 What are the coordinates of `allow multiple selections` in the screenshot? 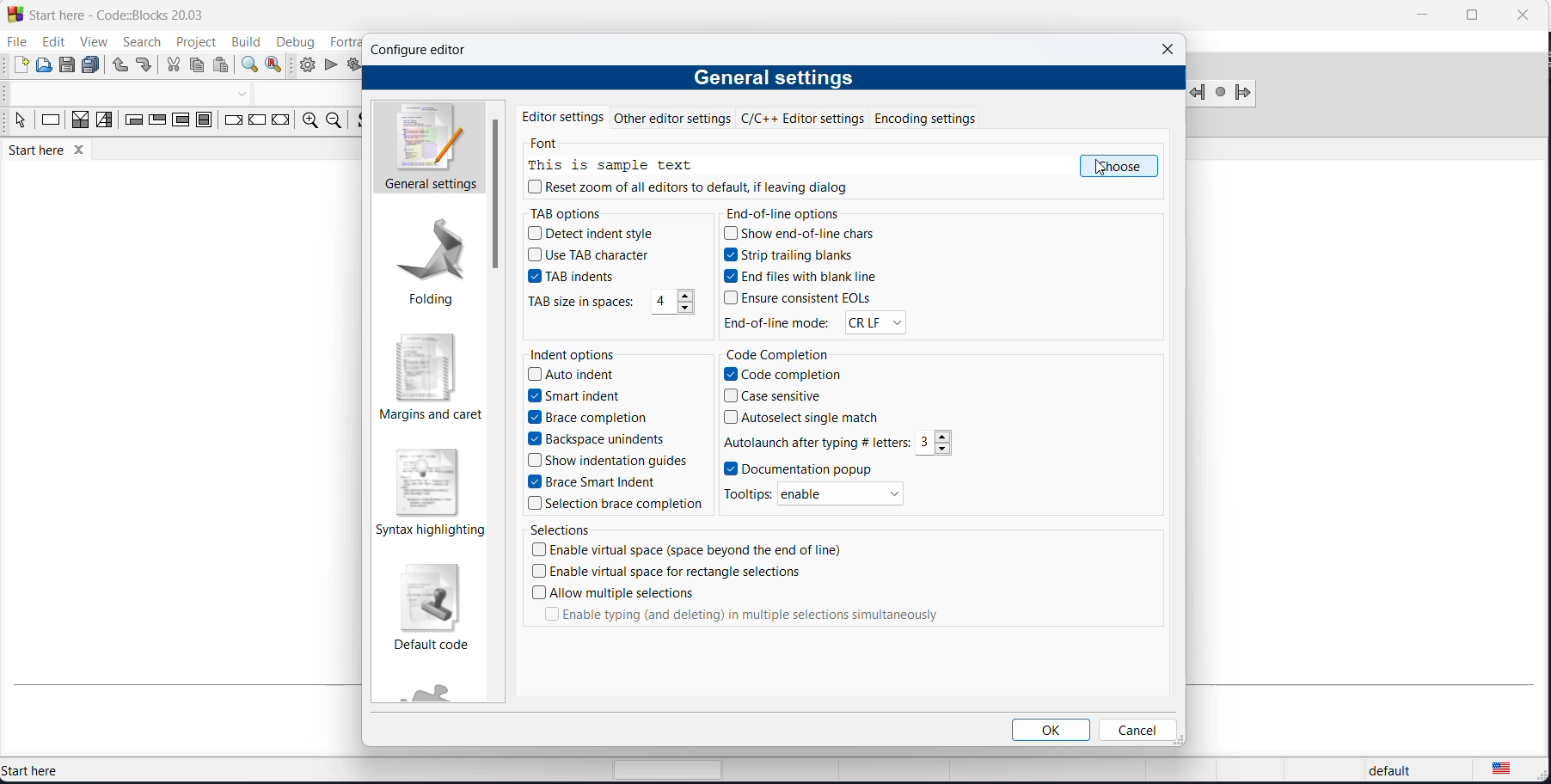 It's located at (615, 592).